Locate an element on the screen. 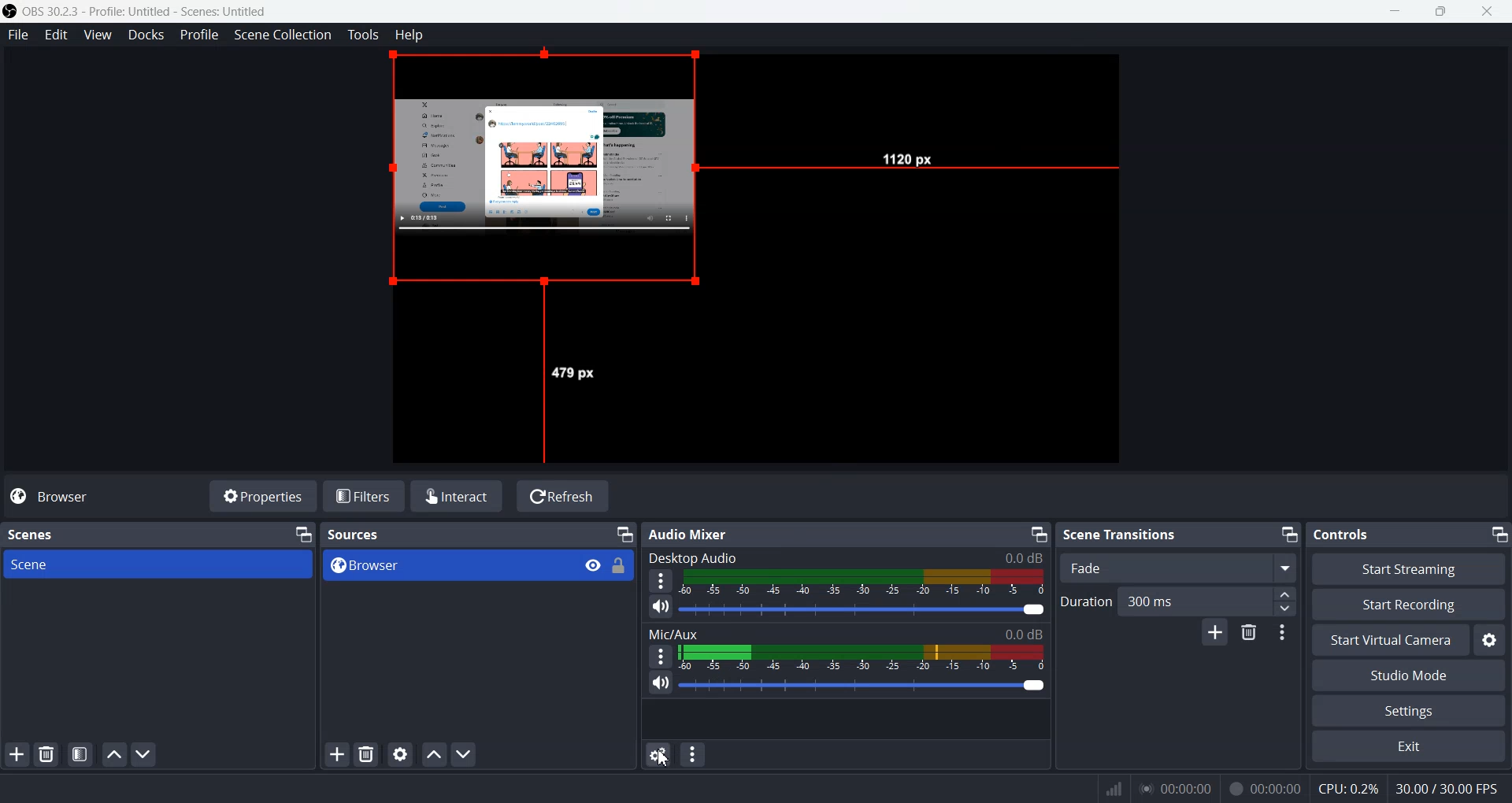 The width and height of the screenshot is (1512, 803). Transition properties is located at coordinates (1285, 635).